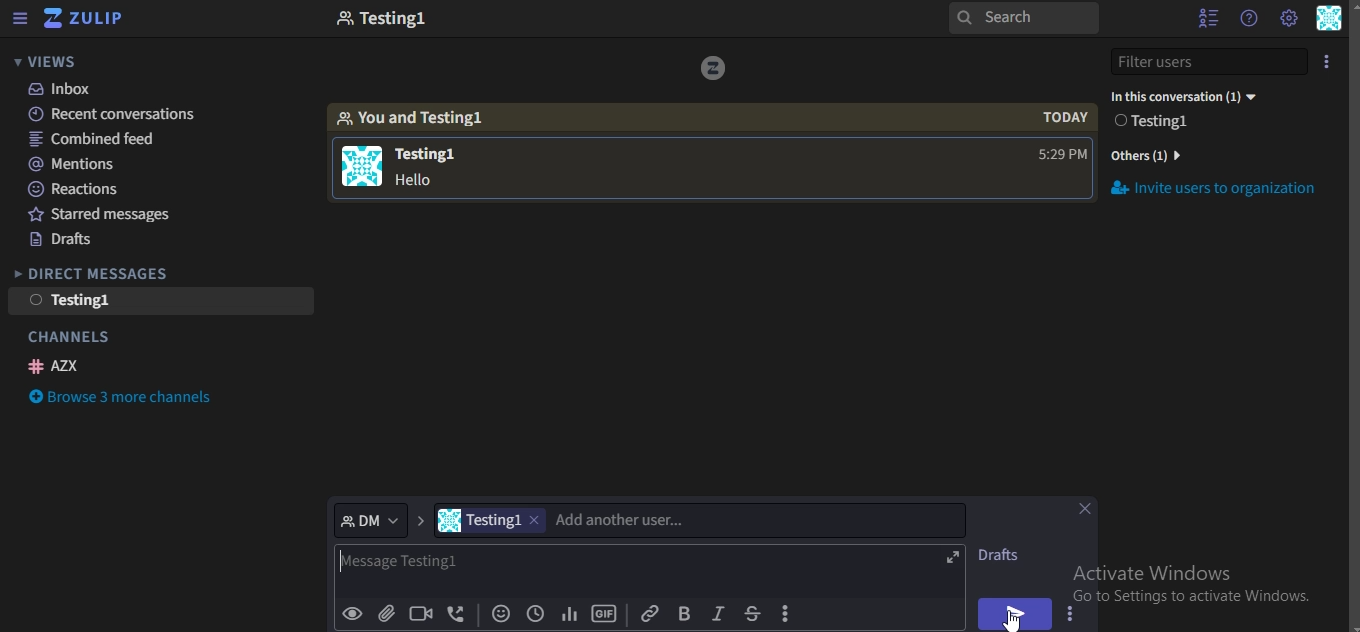 This screenshot has height=632, width=1360. I want to click on channels, so click(61, 338).